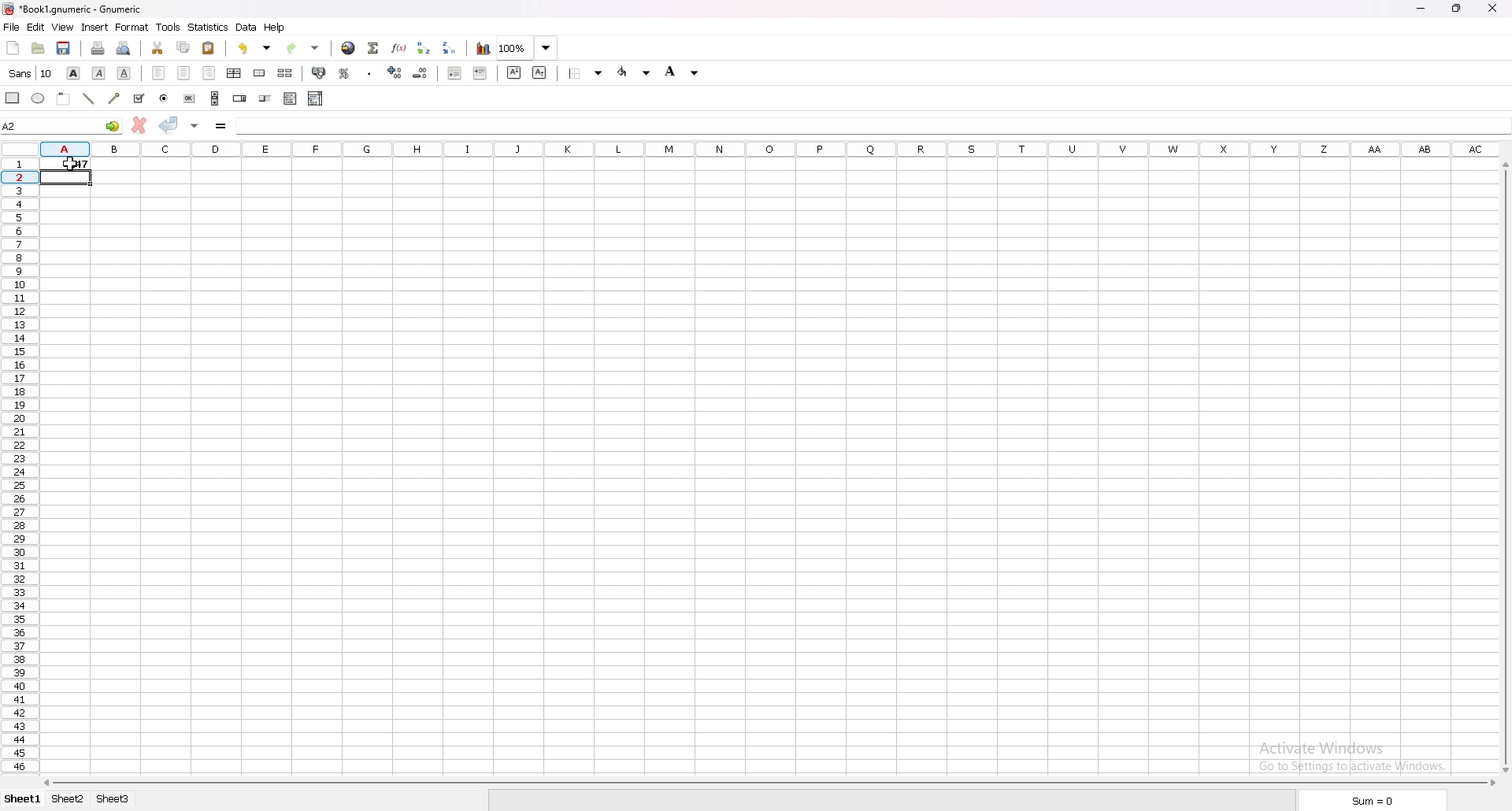 The height and width of the screenshot is (811, 1512). Describe the element at coordinates (221, 126) in the screenshot. I see `formula` at that location.